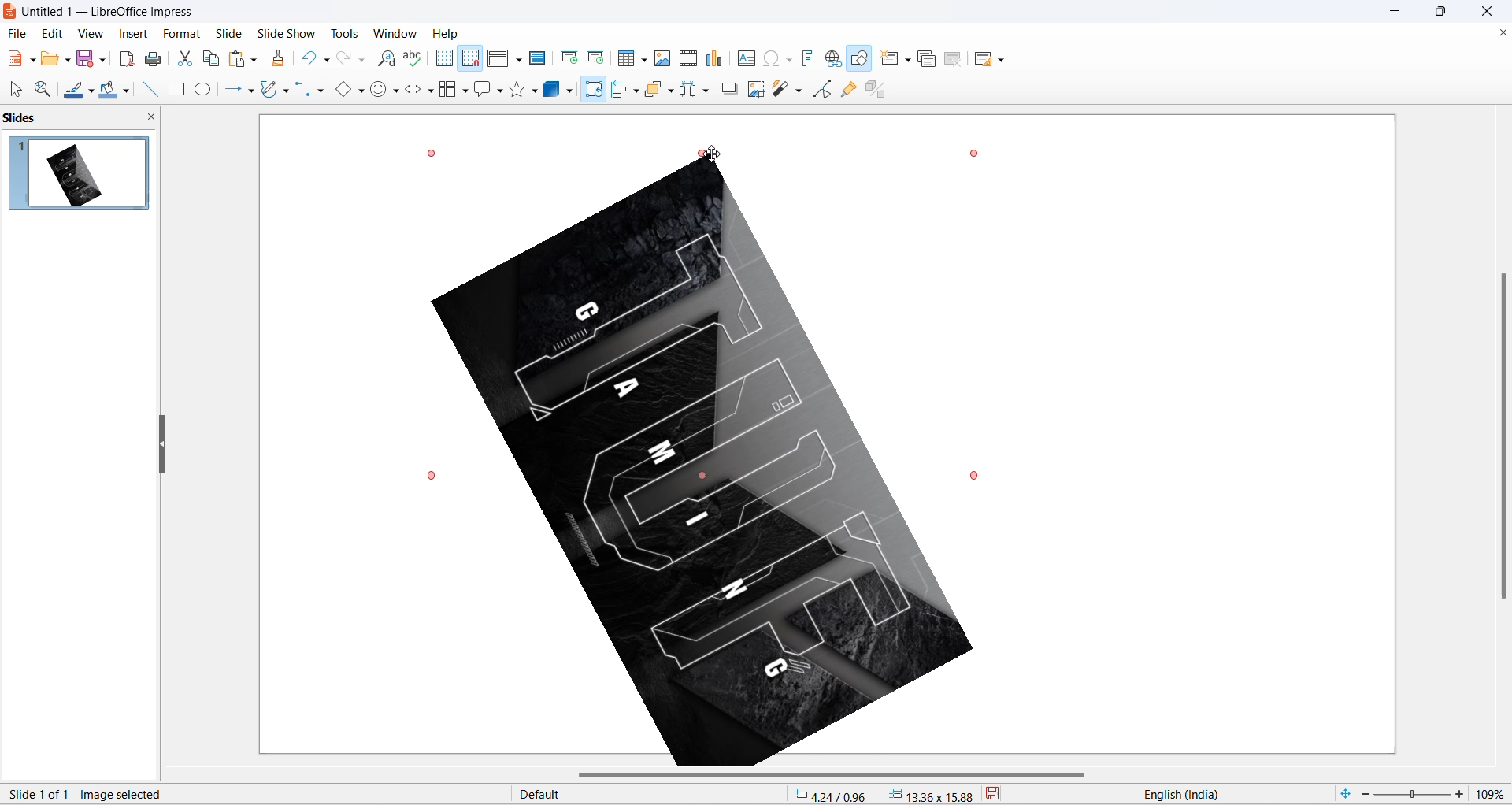 This screenshot has width=1512, height=805. I want to click on filter options, so click(798, 90).